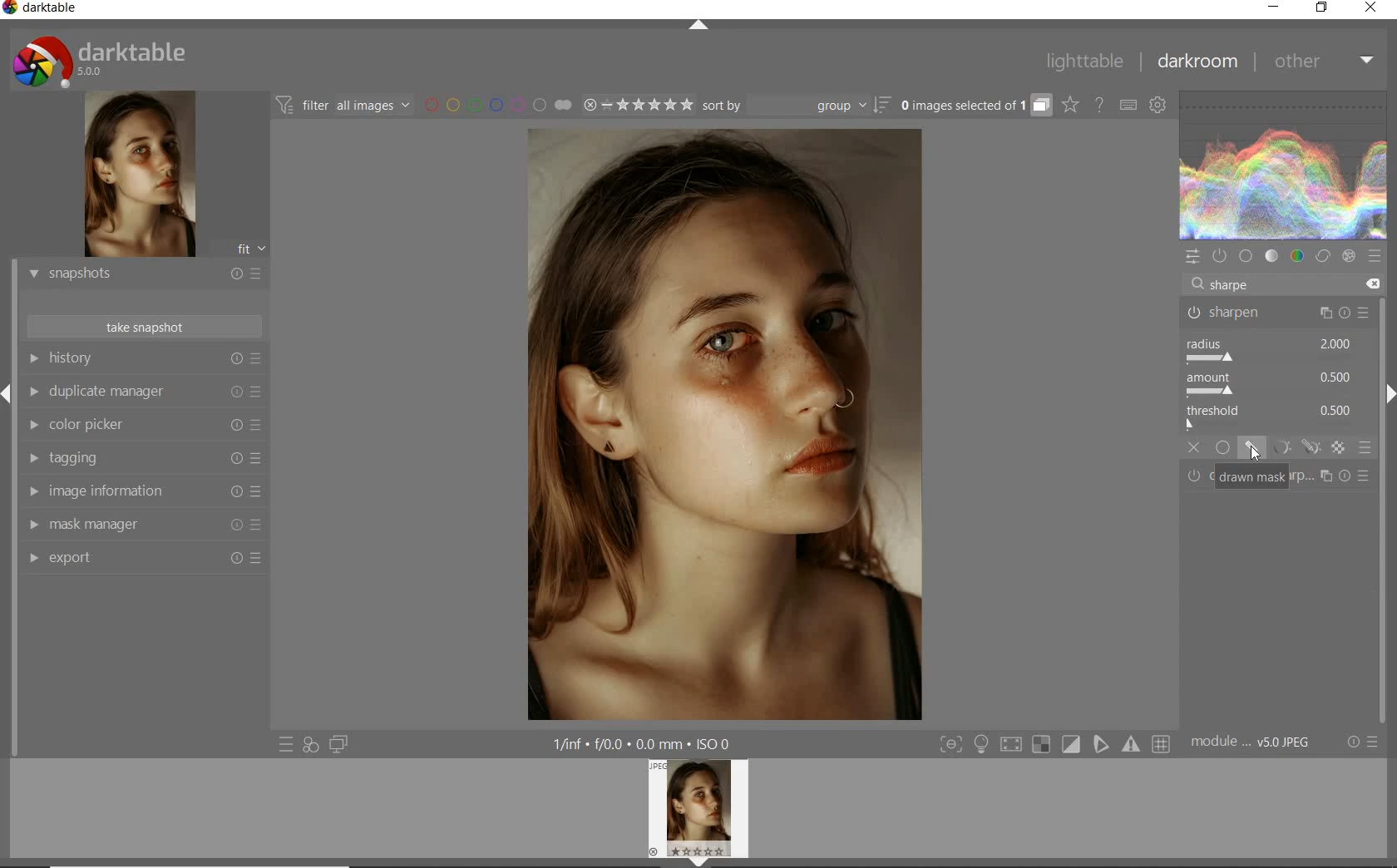  What do you see at coordinates (141, 459) in the screenshot?
I see `tagging` at bounding box center [141, 459].